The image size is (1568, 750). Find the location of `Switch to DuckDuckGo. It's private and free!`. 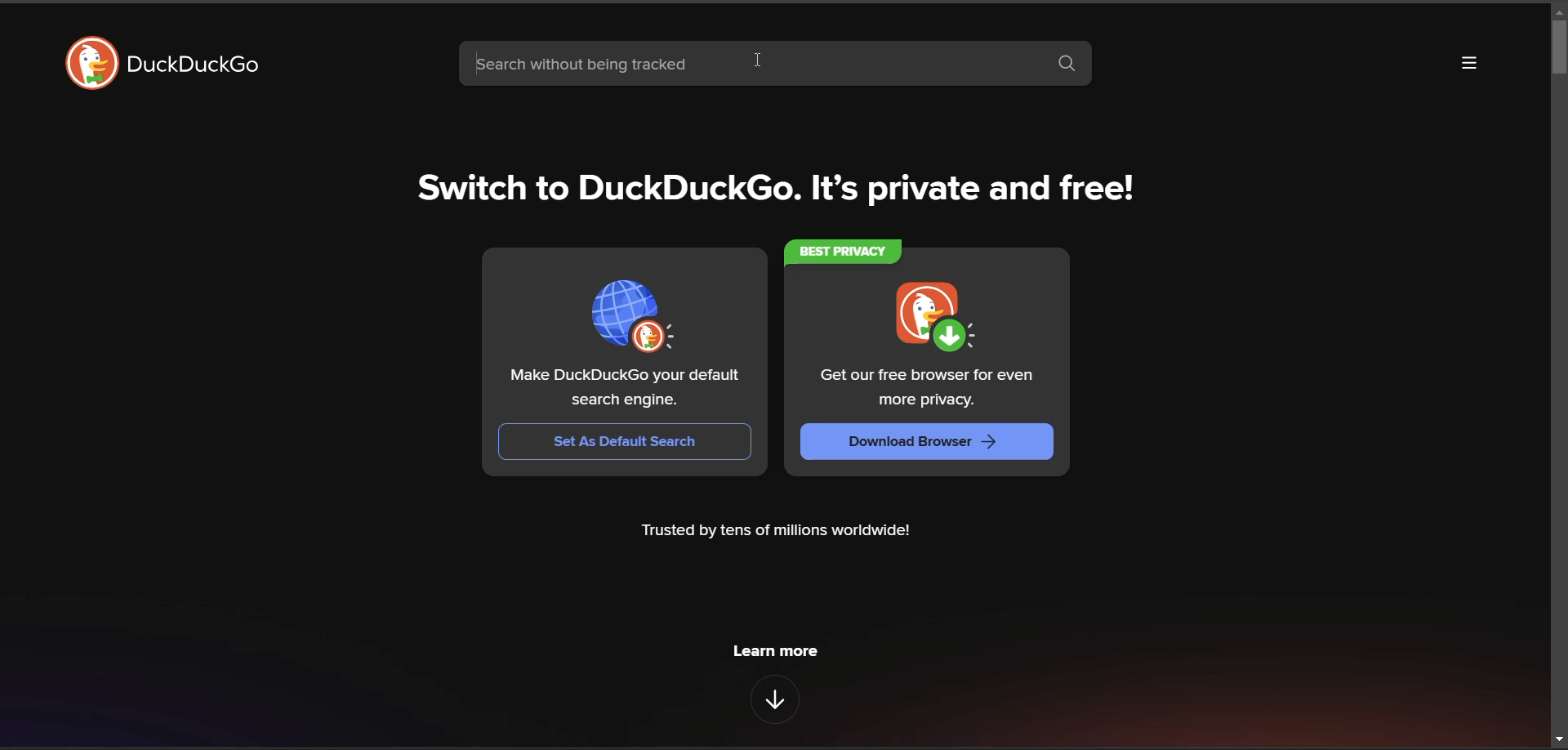

Switch to DuckDuckGo. It's private and free! is located at coordinates (777, 192).